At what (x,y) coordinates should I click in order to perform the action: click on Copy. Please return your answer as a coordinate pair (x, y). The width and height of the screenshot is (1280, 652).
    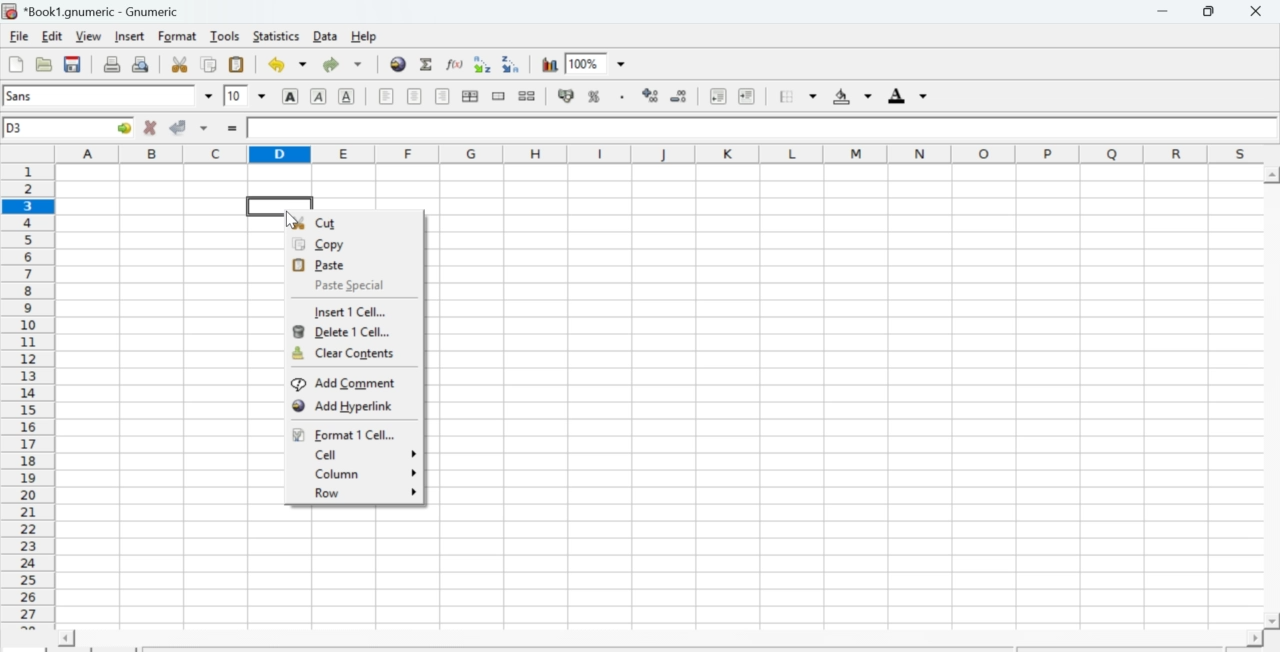
    Looking at the image, I should click on (330, 245).